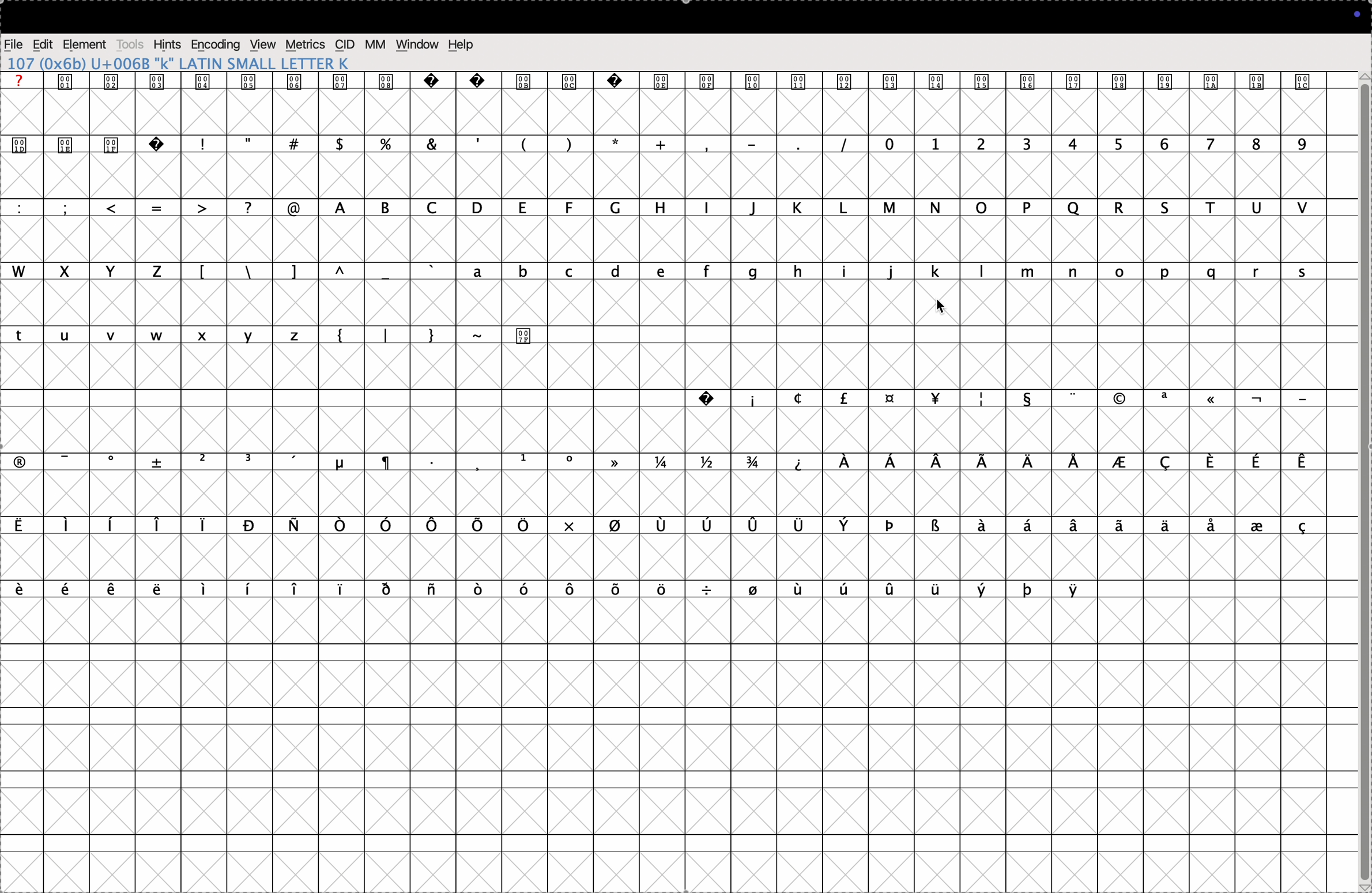 The width and height of the screenshot is (1372, 893). I want to click on v, so click(1302, 209).